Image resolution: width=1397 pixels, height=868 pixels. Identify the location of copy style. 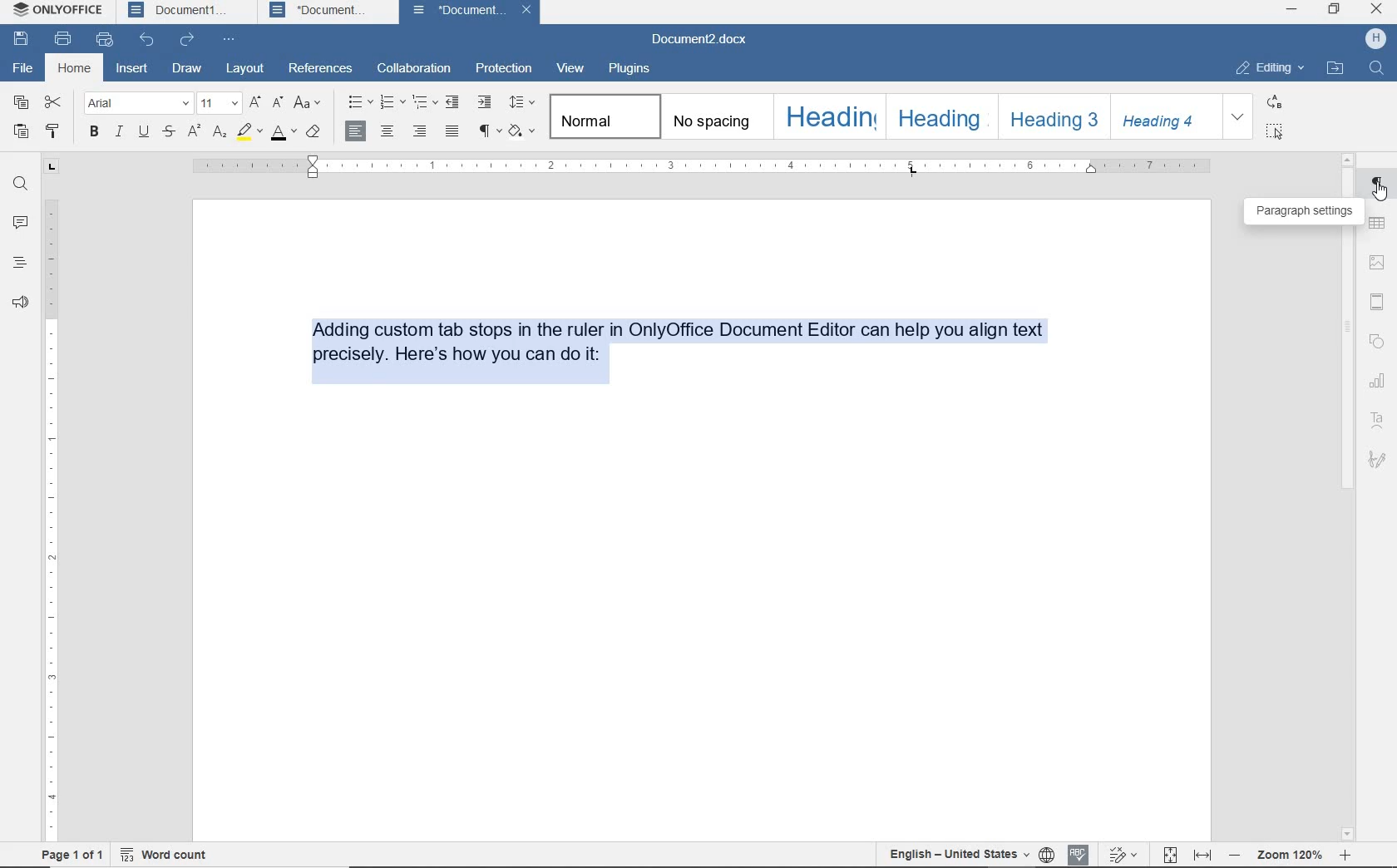
(51, 131).